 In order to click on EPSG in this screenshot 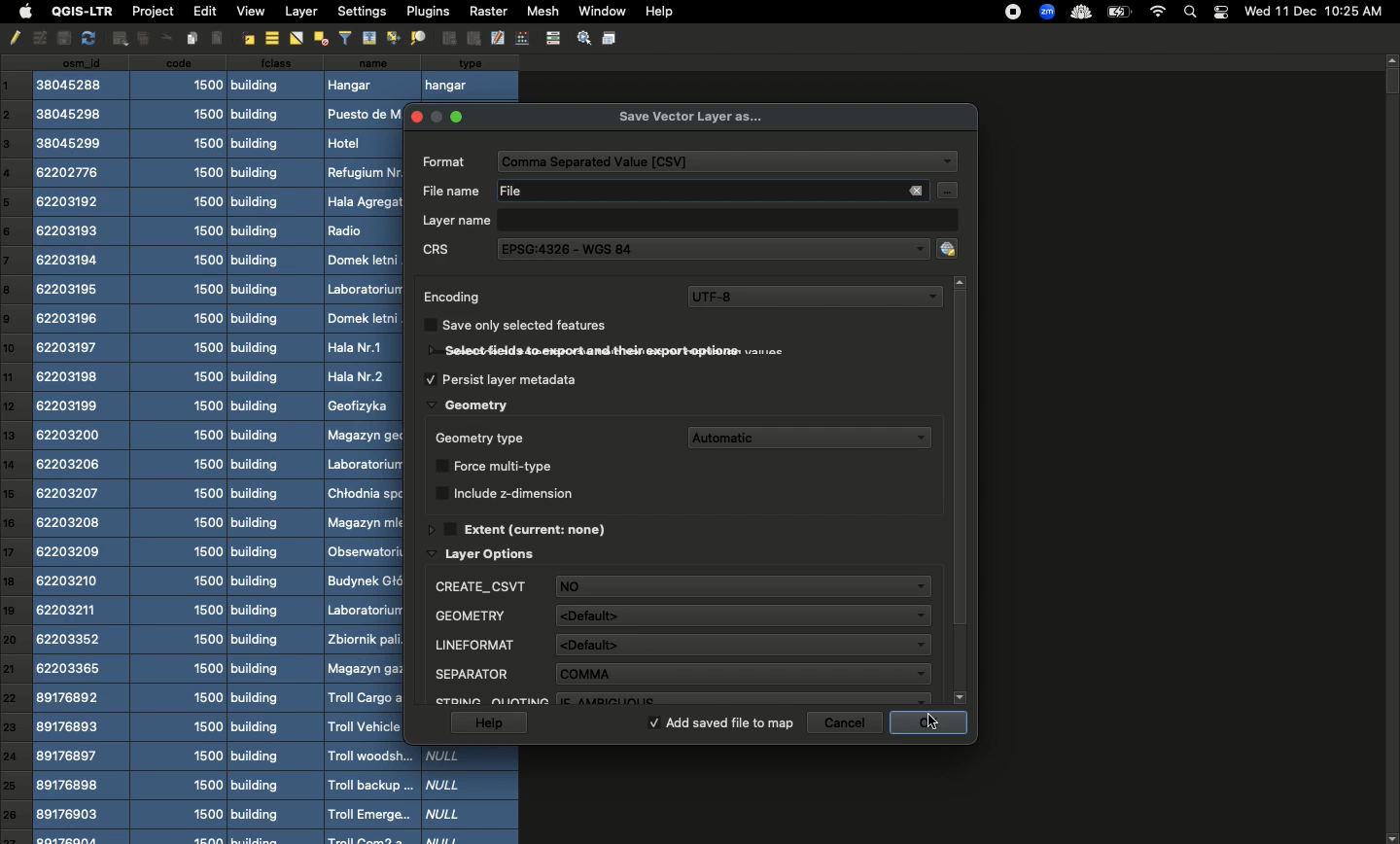, I will do `click(724, 248)`.